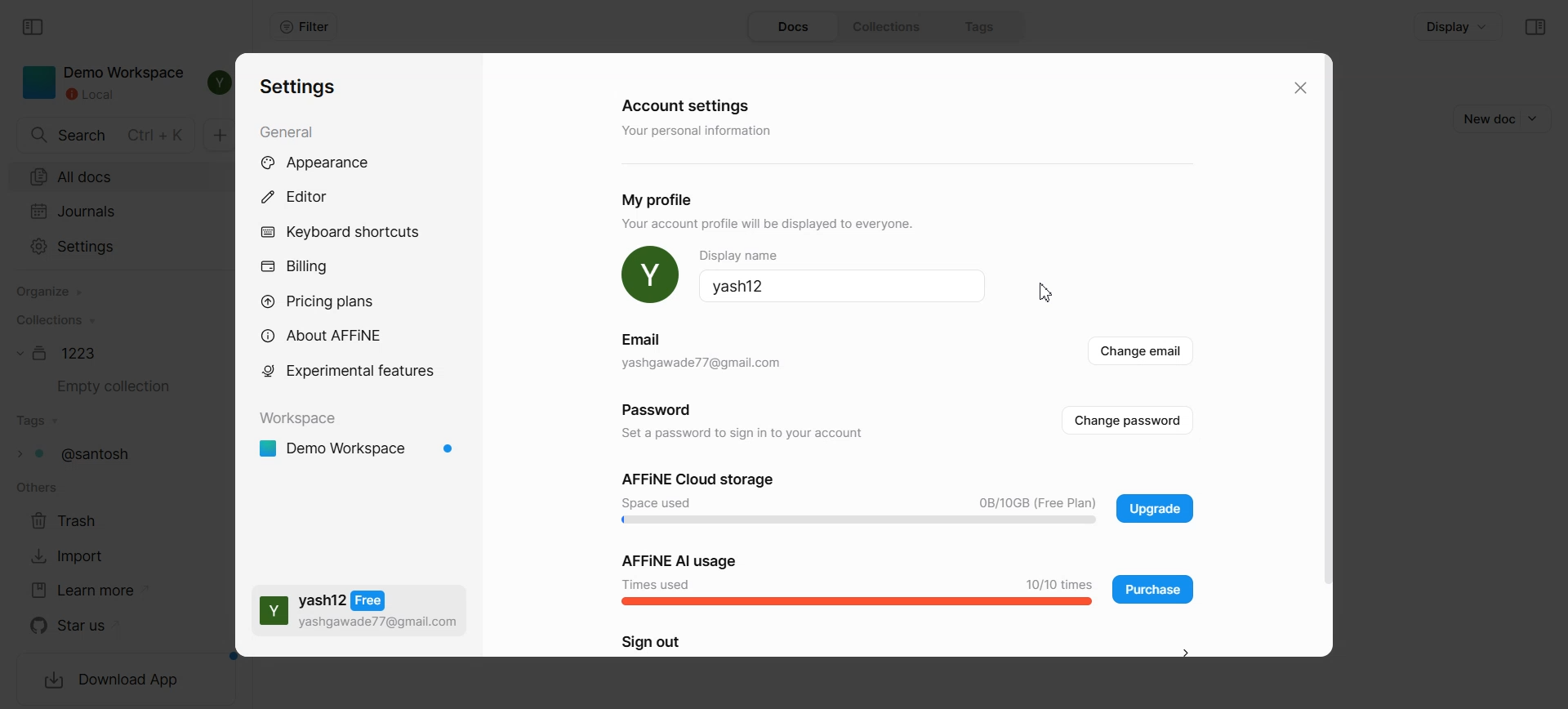  Describe the element at coordinates (701, 132) in the screenshot. I see `‘Your personal information` at that location.